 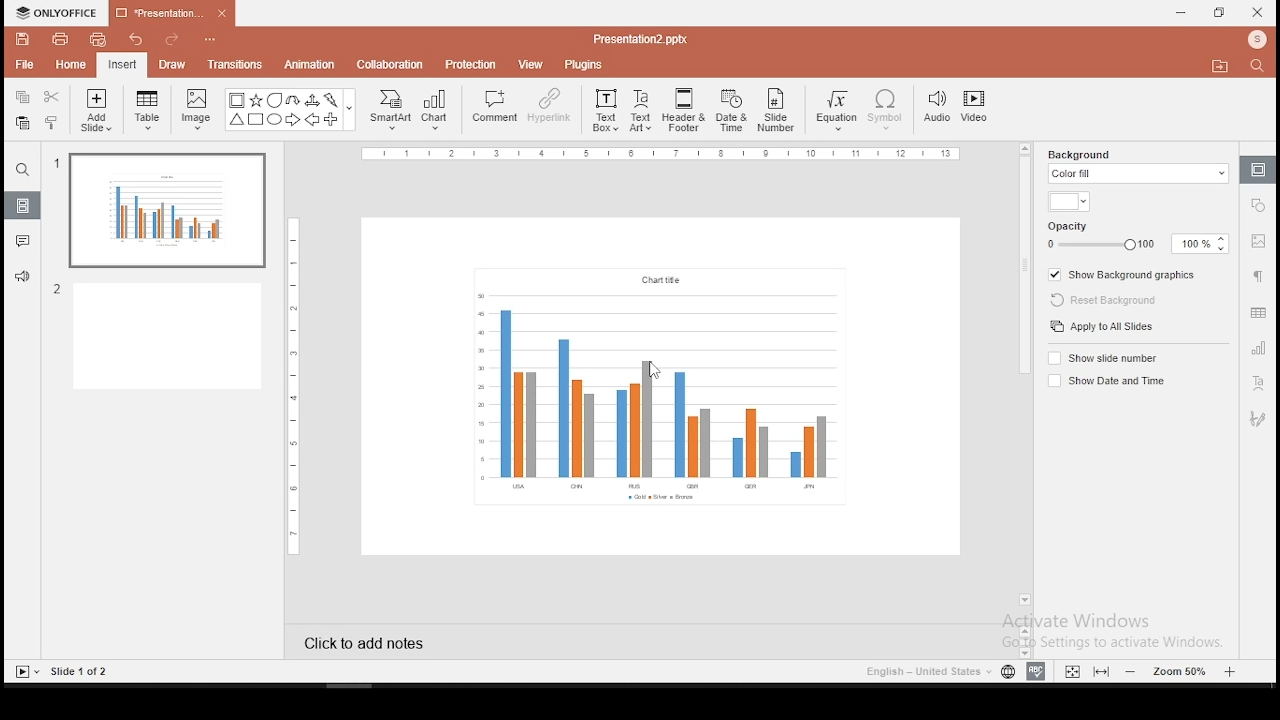 I want to click on art, so click(x=1257, y=420).